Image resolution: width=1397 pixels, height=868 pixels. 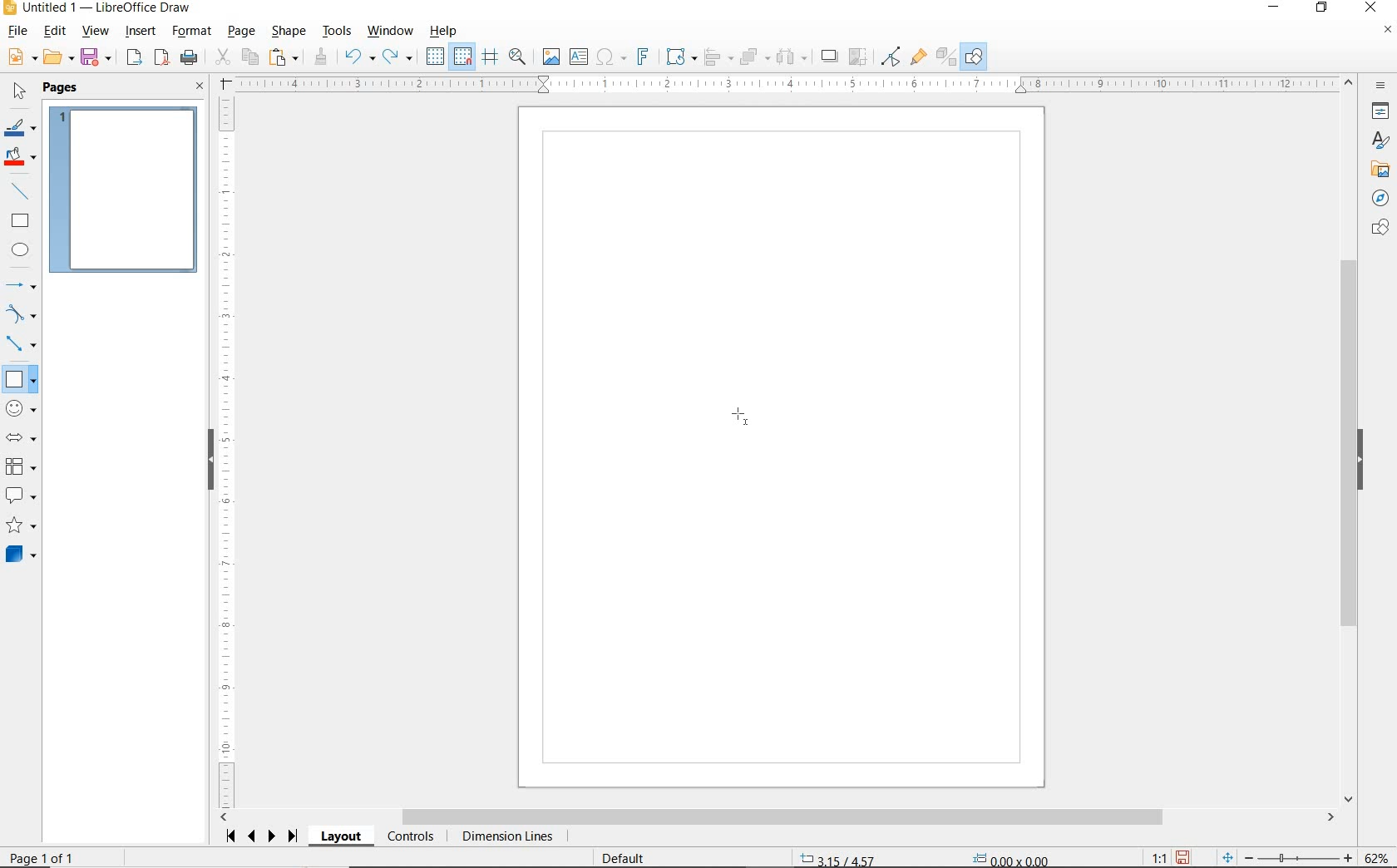 I want to click on HIDE, so click(x=210, y=461).